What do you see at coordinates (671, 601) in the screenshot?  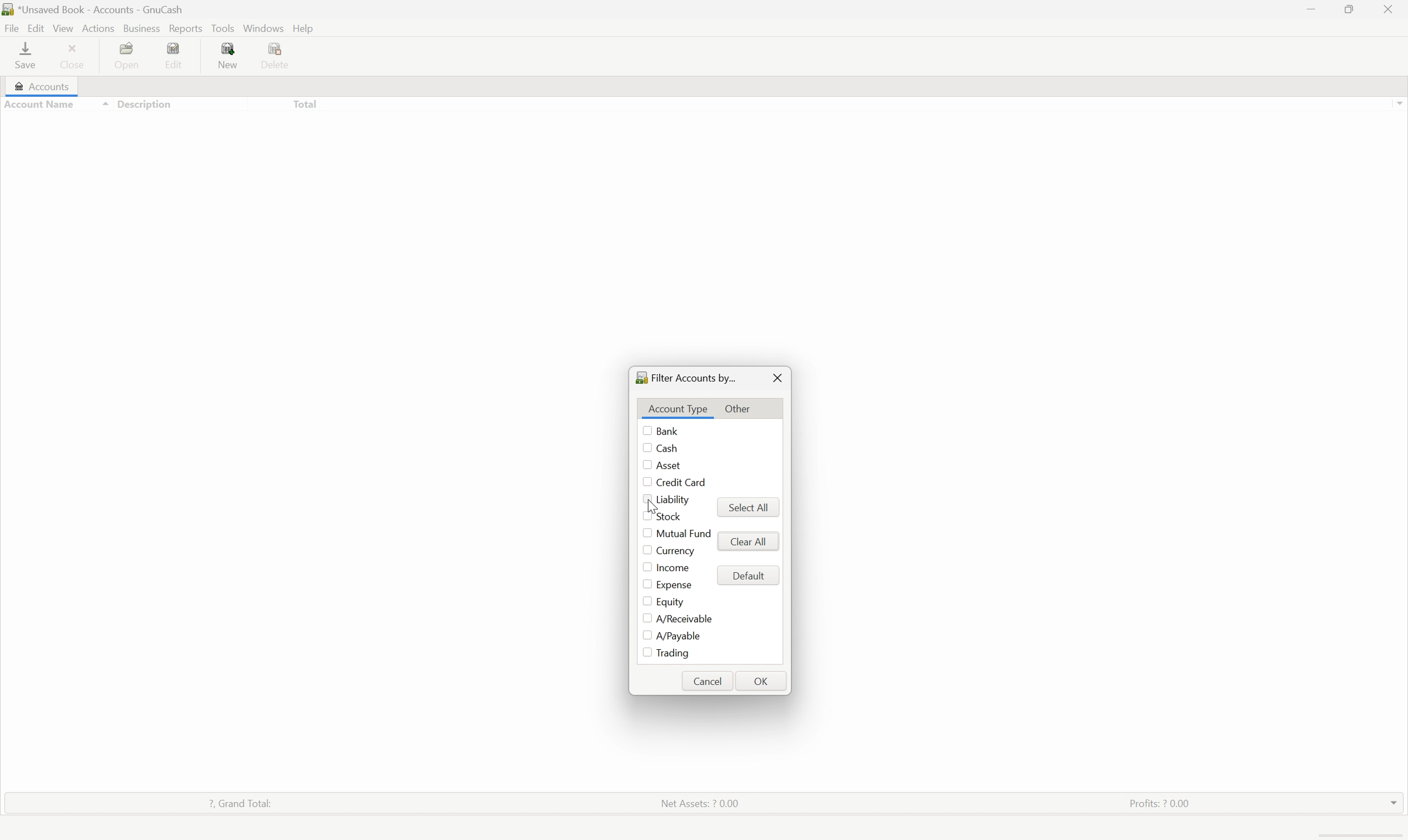 I see `Equity` at bounding box center [671, 601].